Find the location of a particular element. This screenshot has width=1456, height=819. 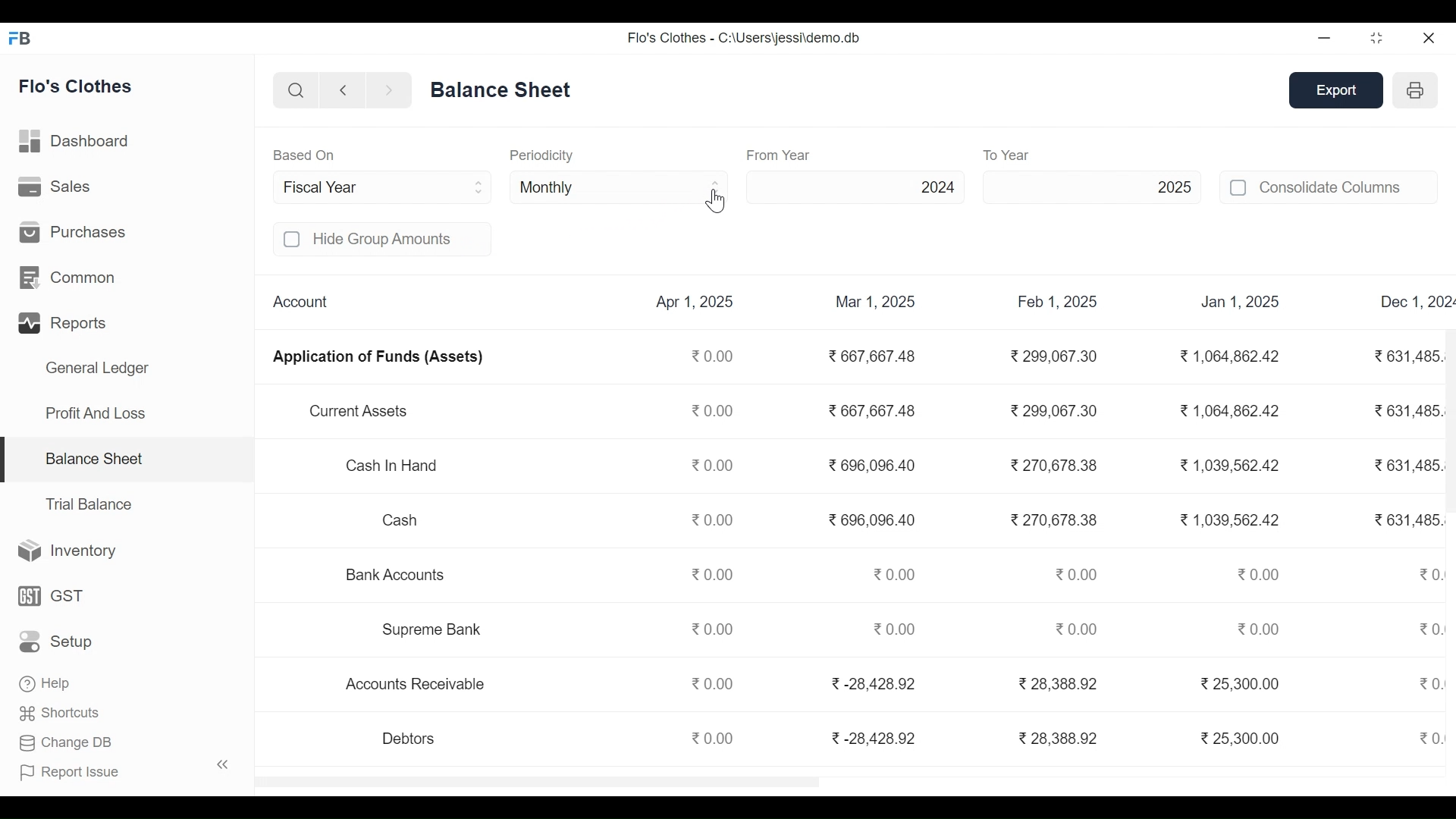

Export is located at coordinates (1338, 91).